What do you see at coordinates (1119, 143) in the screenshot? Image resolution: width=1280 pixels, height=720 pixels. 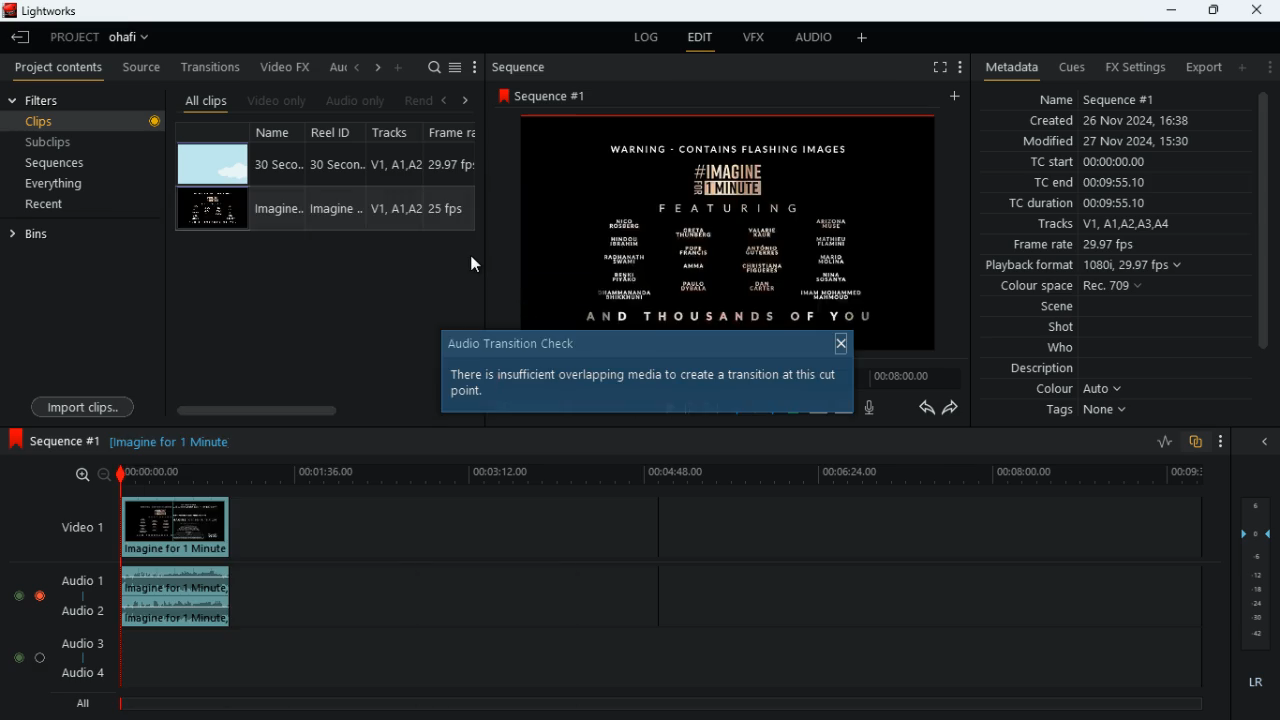 I see `modified` at bounding box center [1119, 143].